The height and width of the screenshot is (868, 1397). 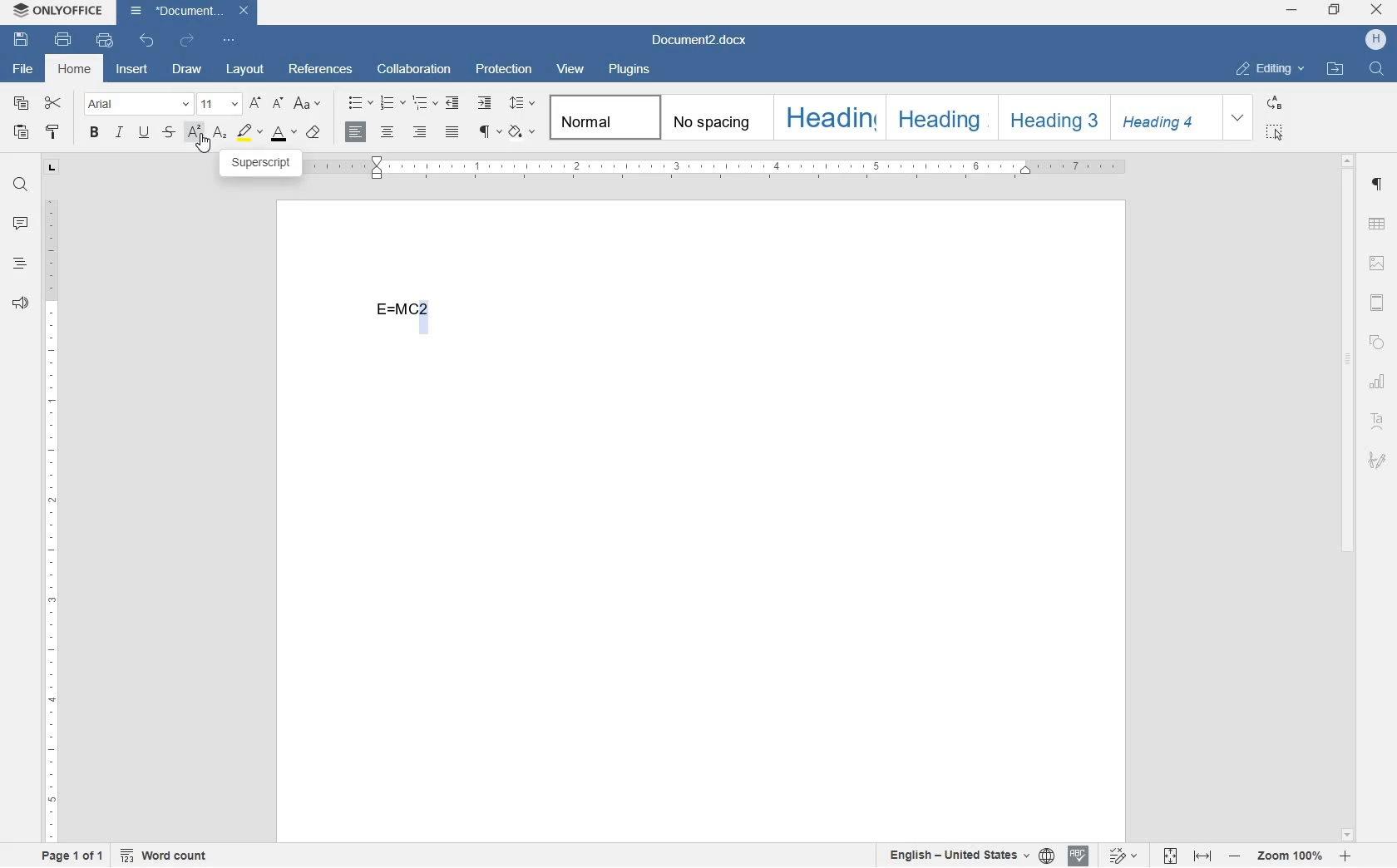 What do you see at coordinates (355, 131) in the screenshot?
I see `align left` at bounding box center [355, 131].